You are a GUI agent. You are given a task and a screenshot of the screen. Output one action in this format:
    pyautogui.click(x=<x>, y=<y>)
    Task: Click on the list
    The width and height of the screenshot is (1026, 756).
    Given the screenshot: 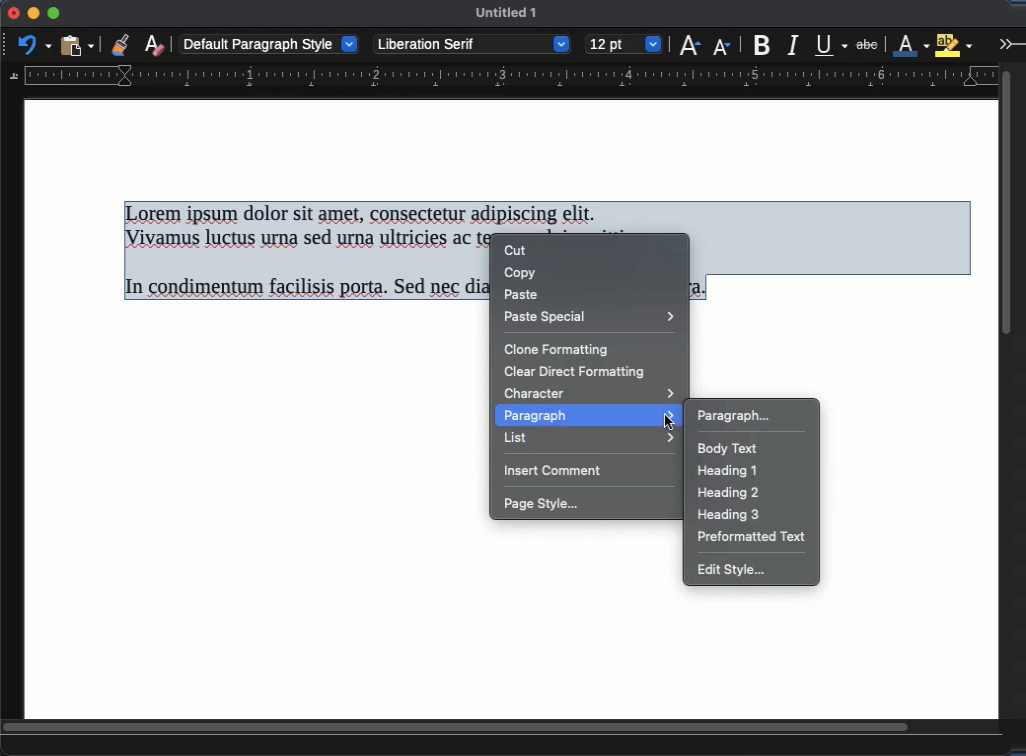 What is the action you would take?
    pyautogui.click(x=589, y=440)
    